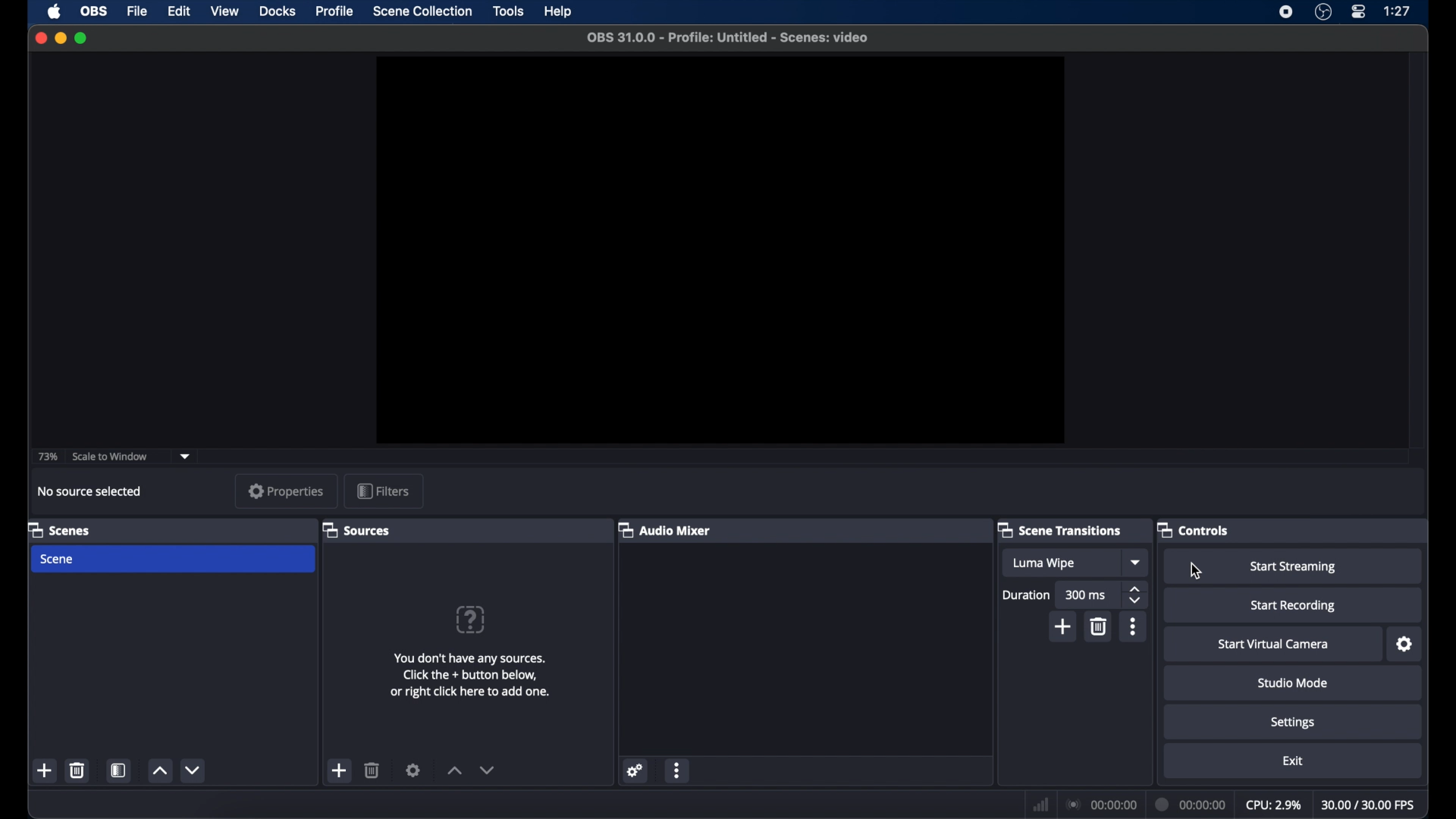  Describe the element at coordinates (1370, 805) in the screenshot. I see `fps` at that location.